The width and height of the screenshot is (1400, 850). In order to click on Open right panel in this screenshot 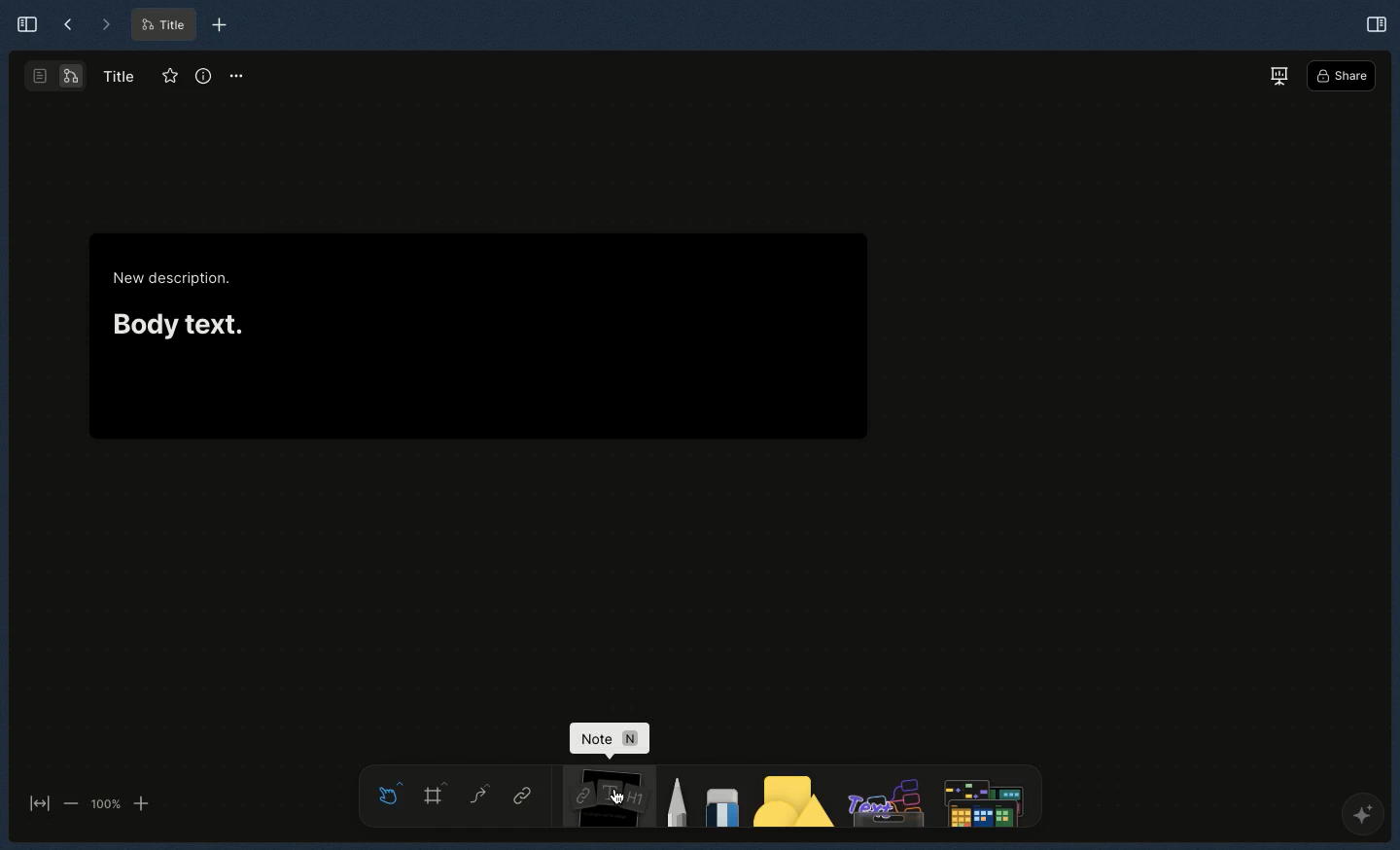, I will do `click(1376, 22)`.